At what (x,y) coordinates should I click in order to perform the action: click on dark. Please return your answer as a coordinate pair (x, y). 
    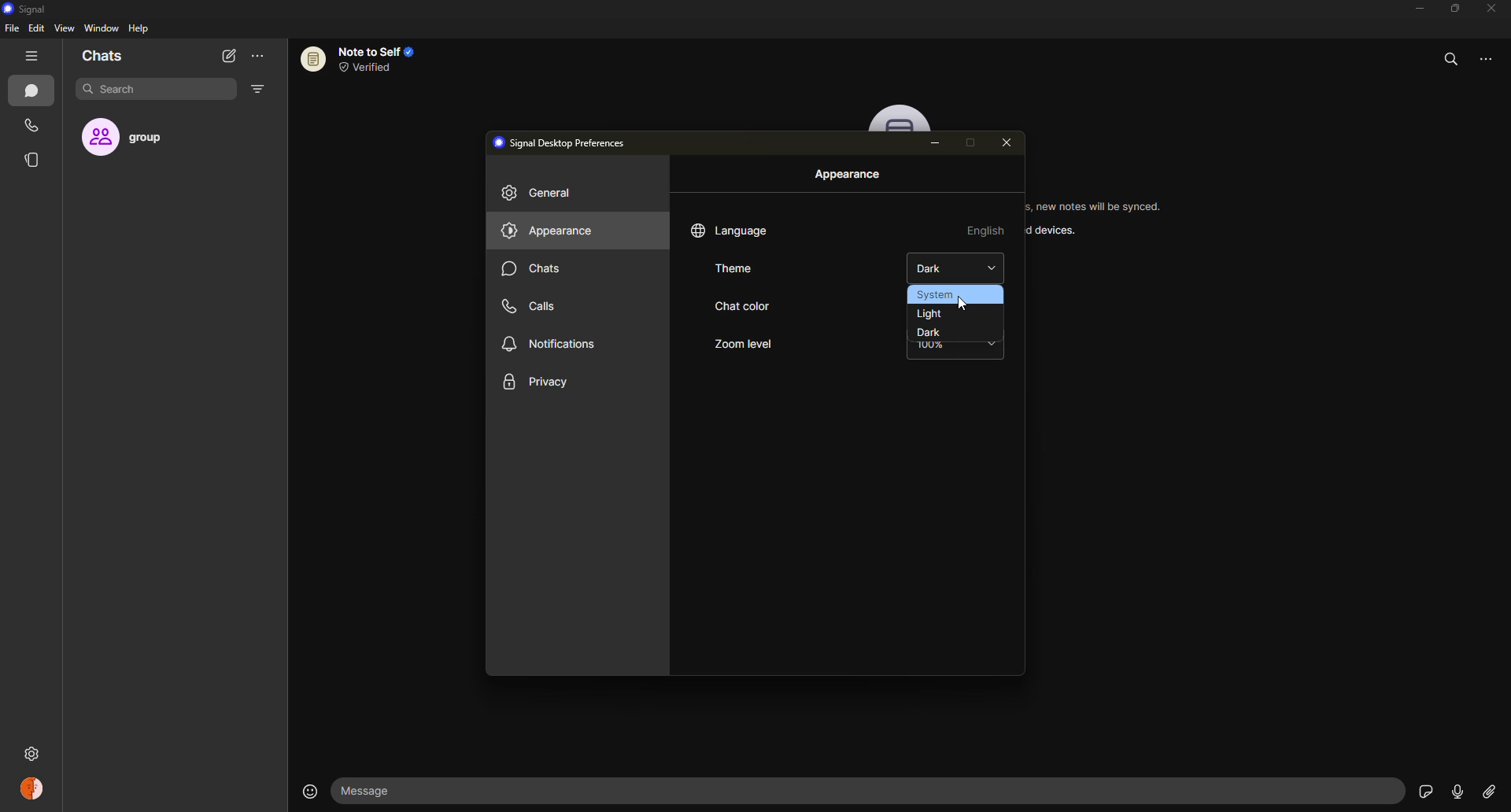
    Looking at the image, I should click on (946, 269).